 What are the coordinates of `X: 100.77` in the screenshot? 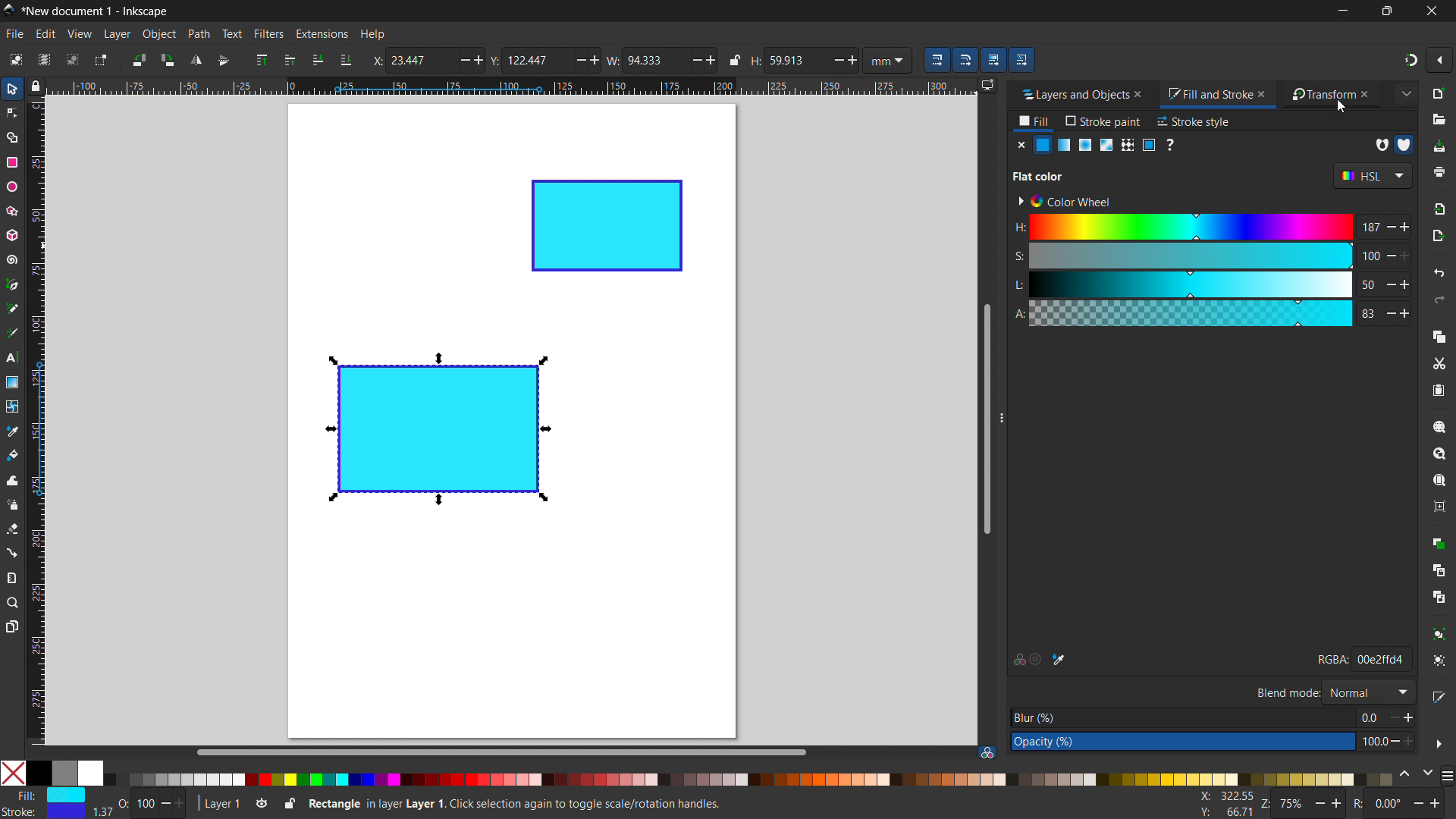 It's located at (1222, 797).